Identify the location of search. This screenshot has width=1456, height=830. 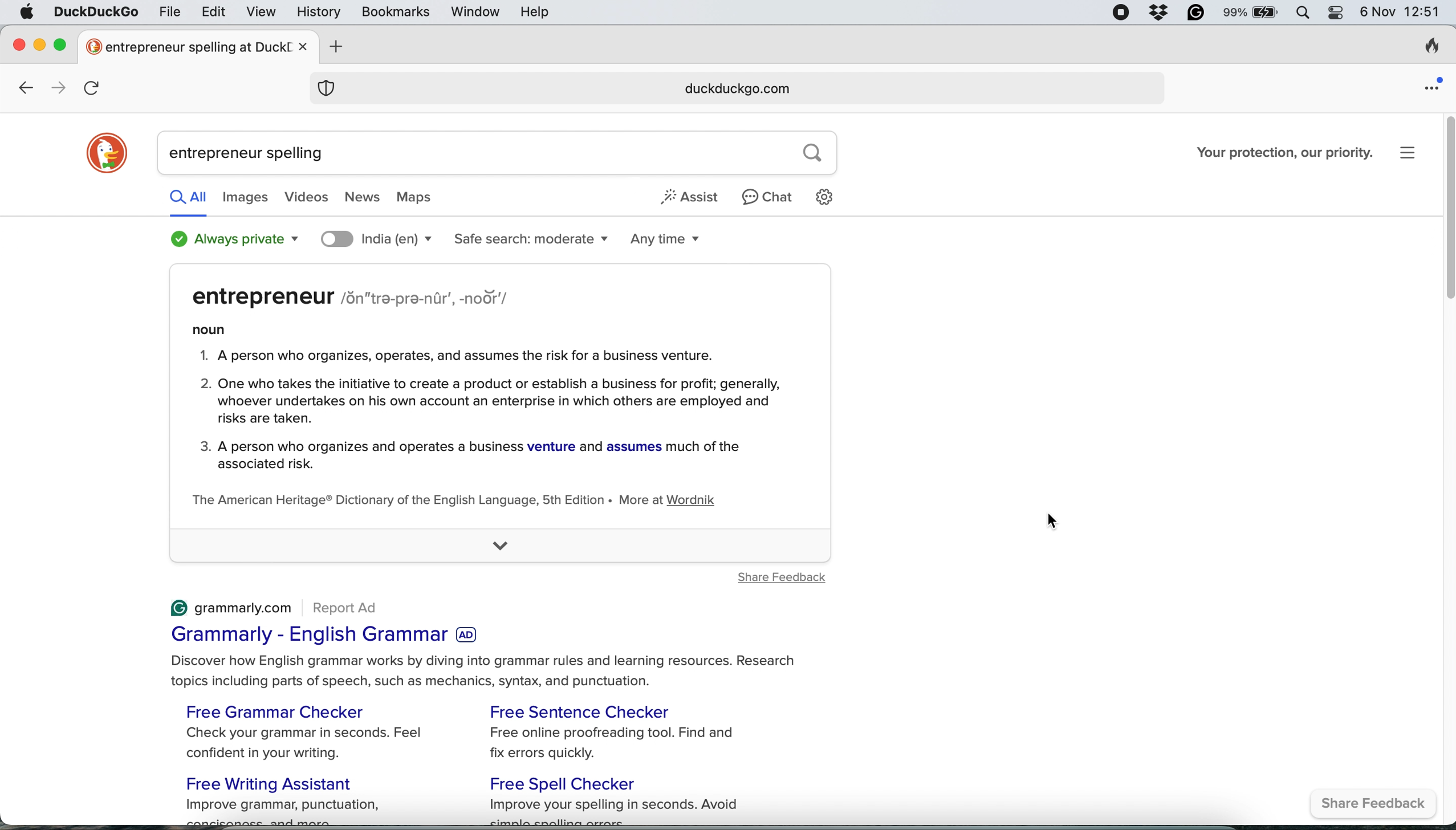
(811, 154).